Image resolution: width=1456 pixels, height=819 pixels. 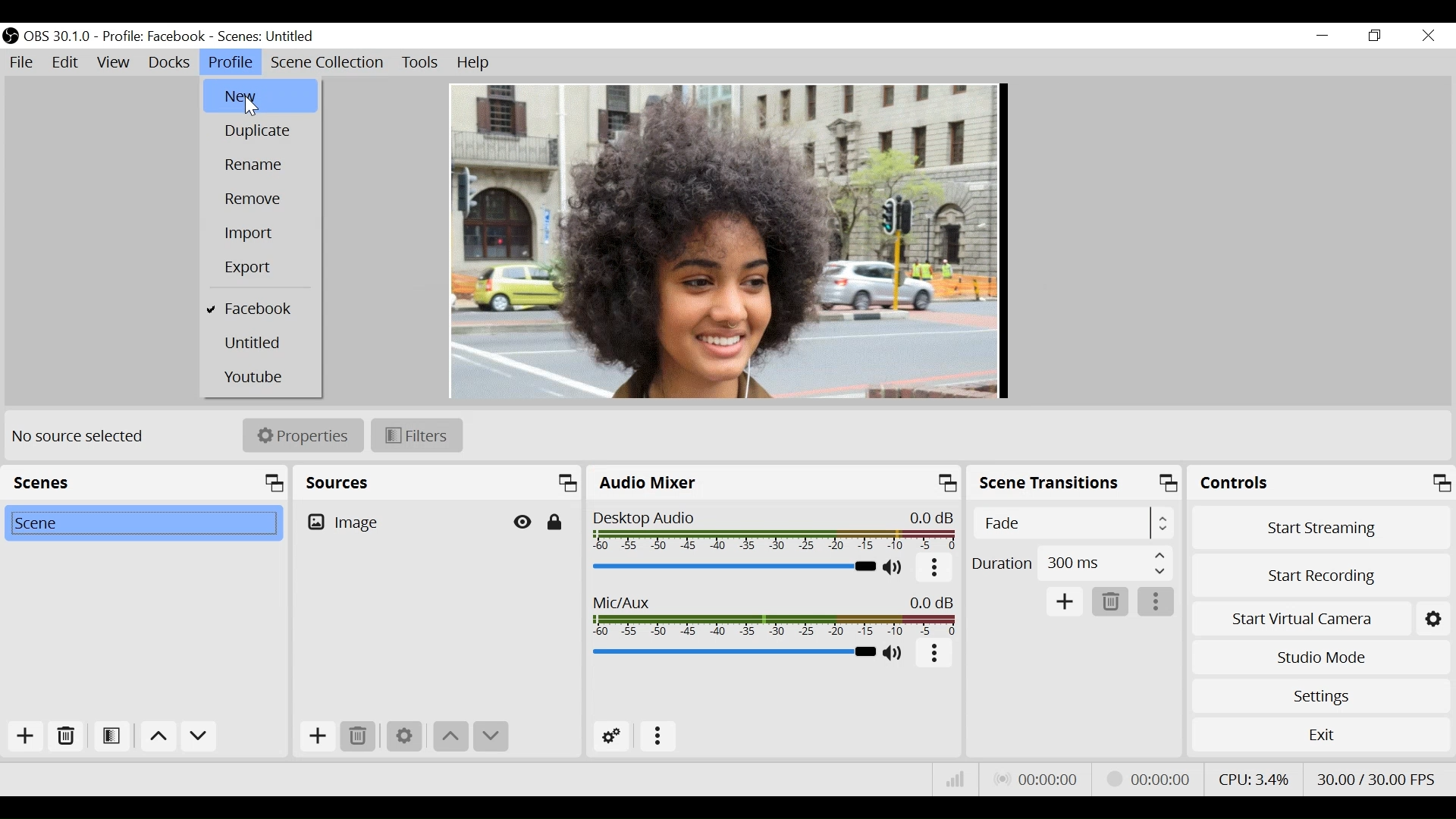 What do you see at coordinates (1320, 696) in the screenshot?
I see `Settings ` at bounding box center [1320, 696].